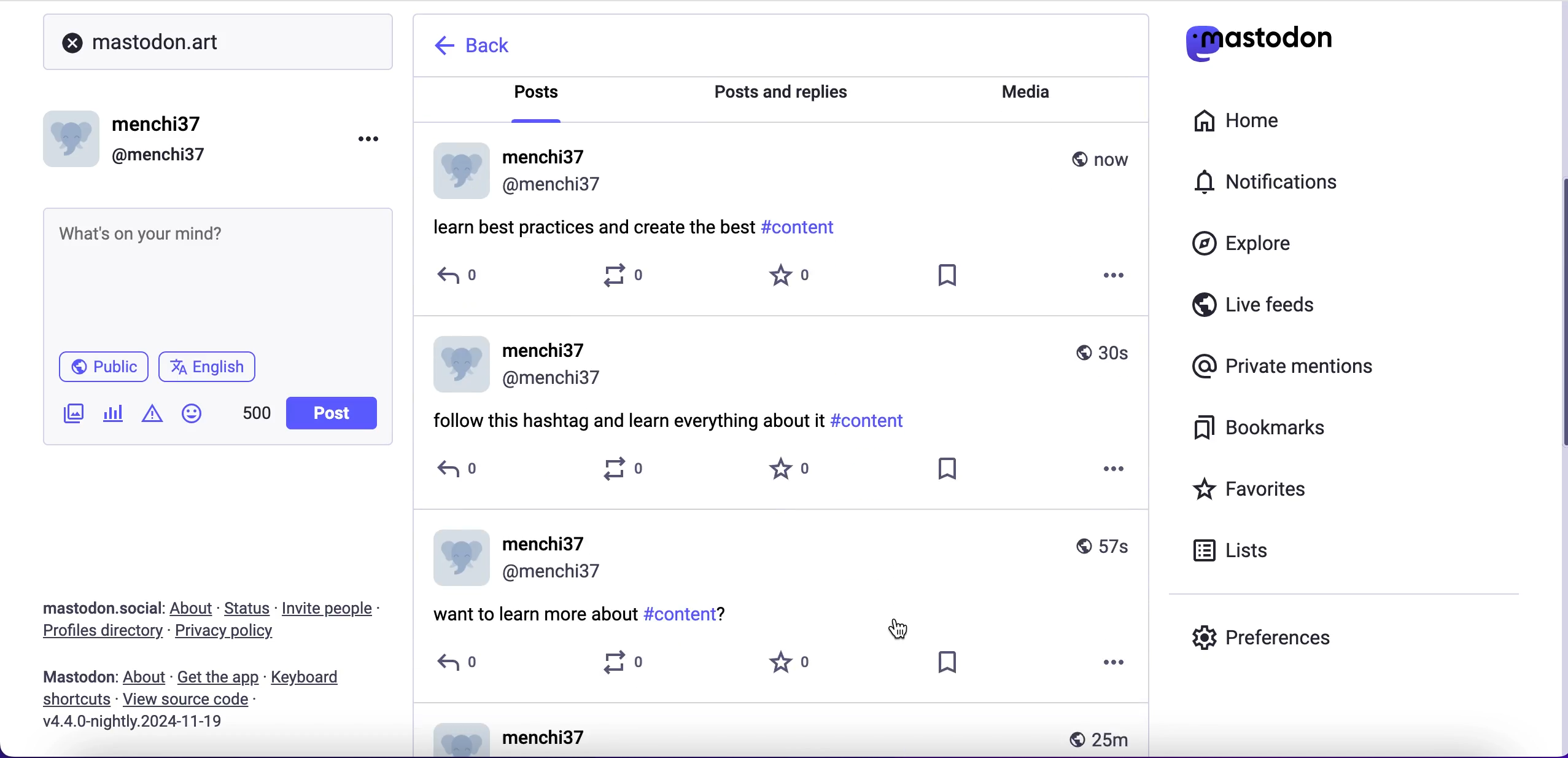 The height and width of the screenshot is (758, 1568). What do you see at coordinates (1294, 186) in the screenshot?
I see `notifications` at bounding box center [1294, 186].